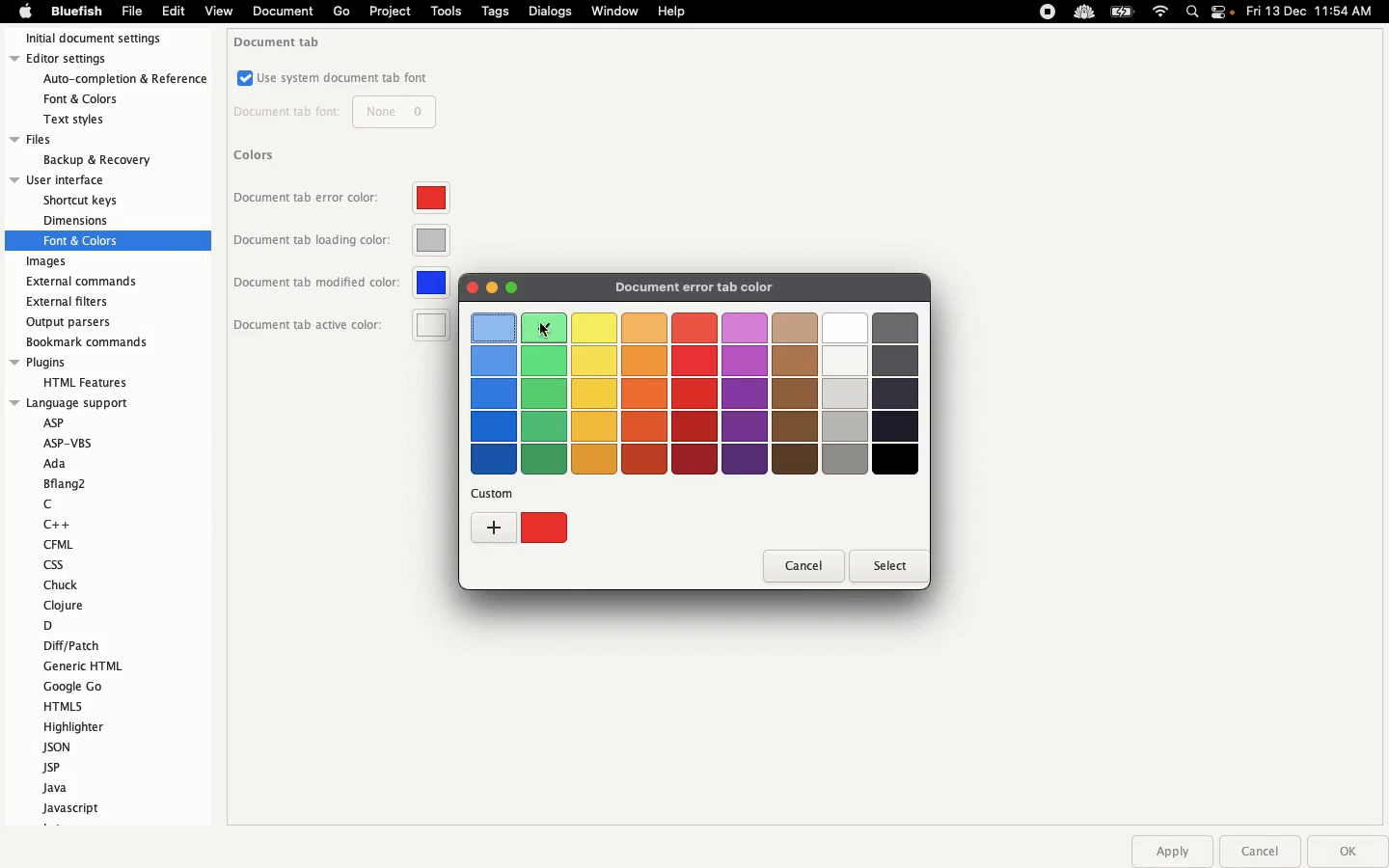 The image size is (1389, 868). What do you see at coordinates (218, 14) in the screenshot?
I see `view` at bounding box center [218, 14].